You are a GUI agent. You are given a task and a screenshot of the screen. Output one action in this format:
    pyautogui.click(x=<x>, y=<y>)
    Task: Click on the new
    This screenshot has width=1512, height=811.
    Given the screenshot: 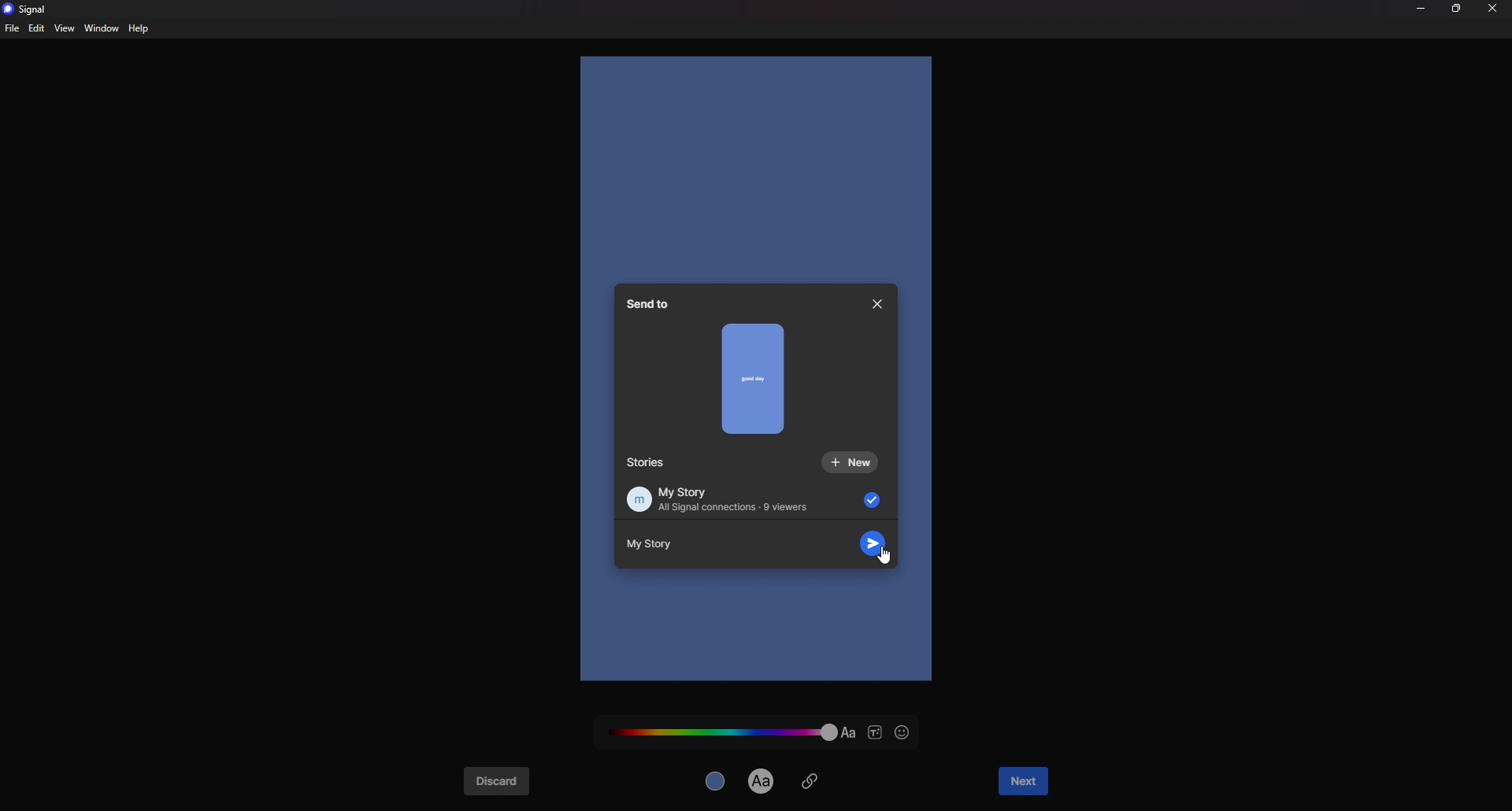 What is the action you would take?
    pyautogui.click(x=850, y=462)
    